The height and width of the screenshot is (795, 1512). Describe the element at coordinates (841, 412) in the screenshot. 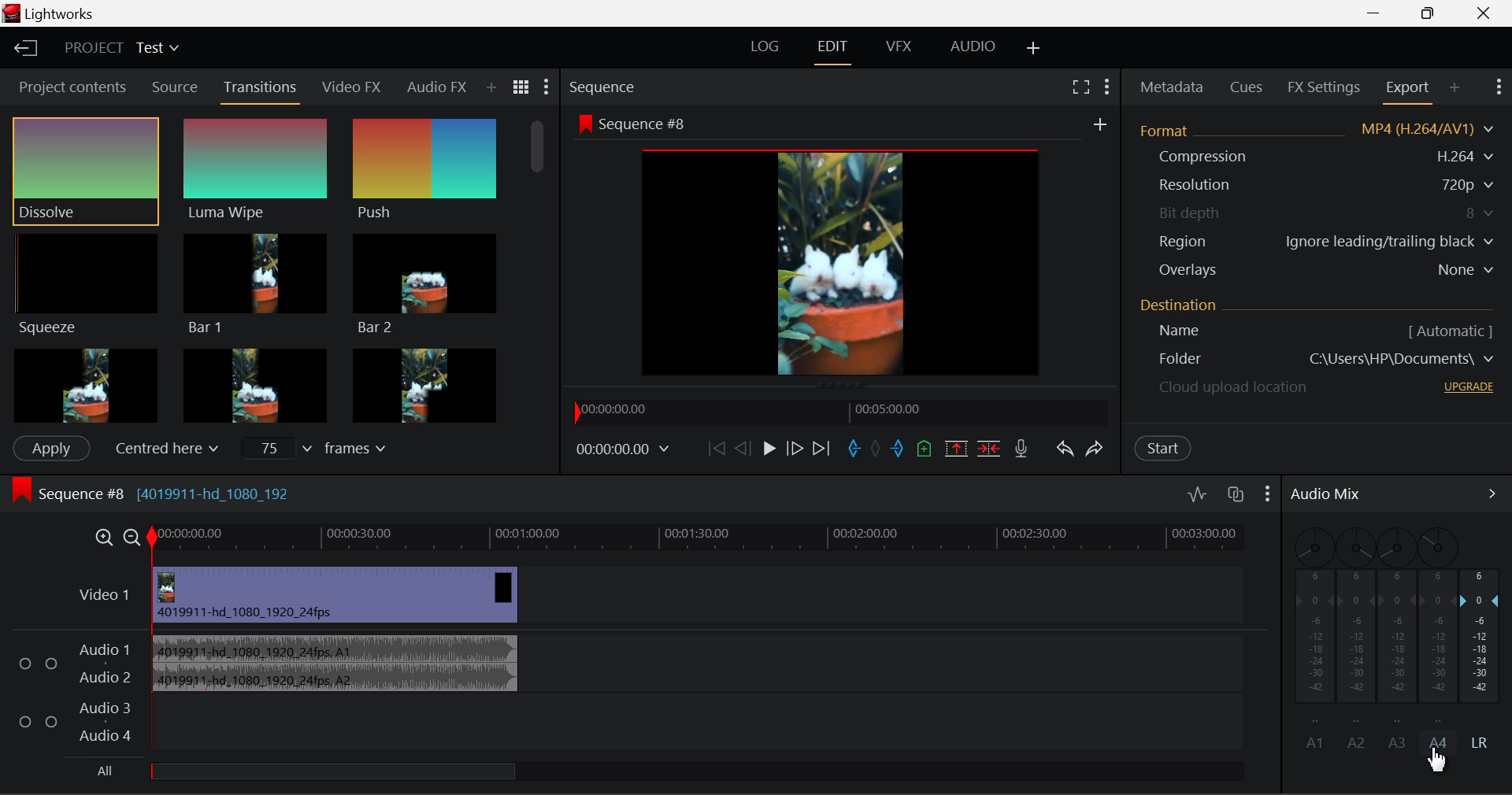

I see `Project Timeline Navigator` at that location.